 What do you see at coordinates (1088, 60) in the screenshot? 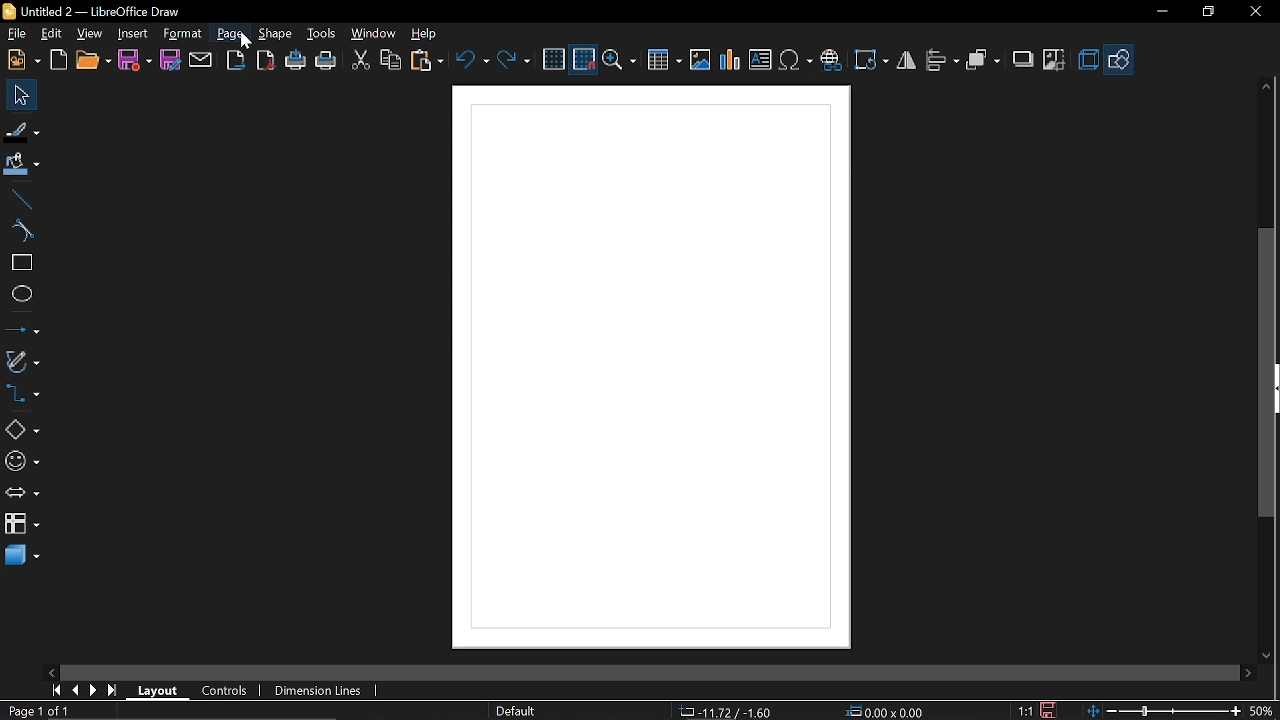
I see `3d effects` at bounding box center [1088, 60].